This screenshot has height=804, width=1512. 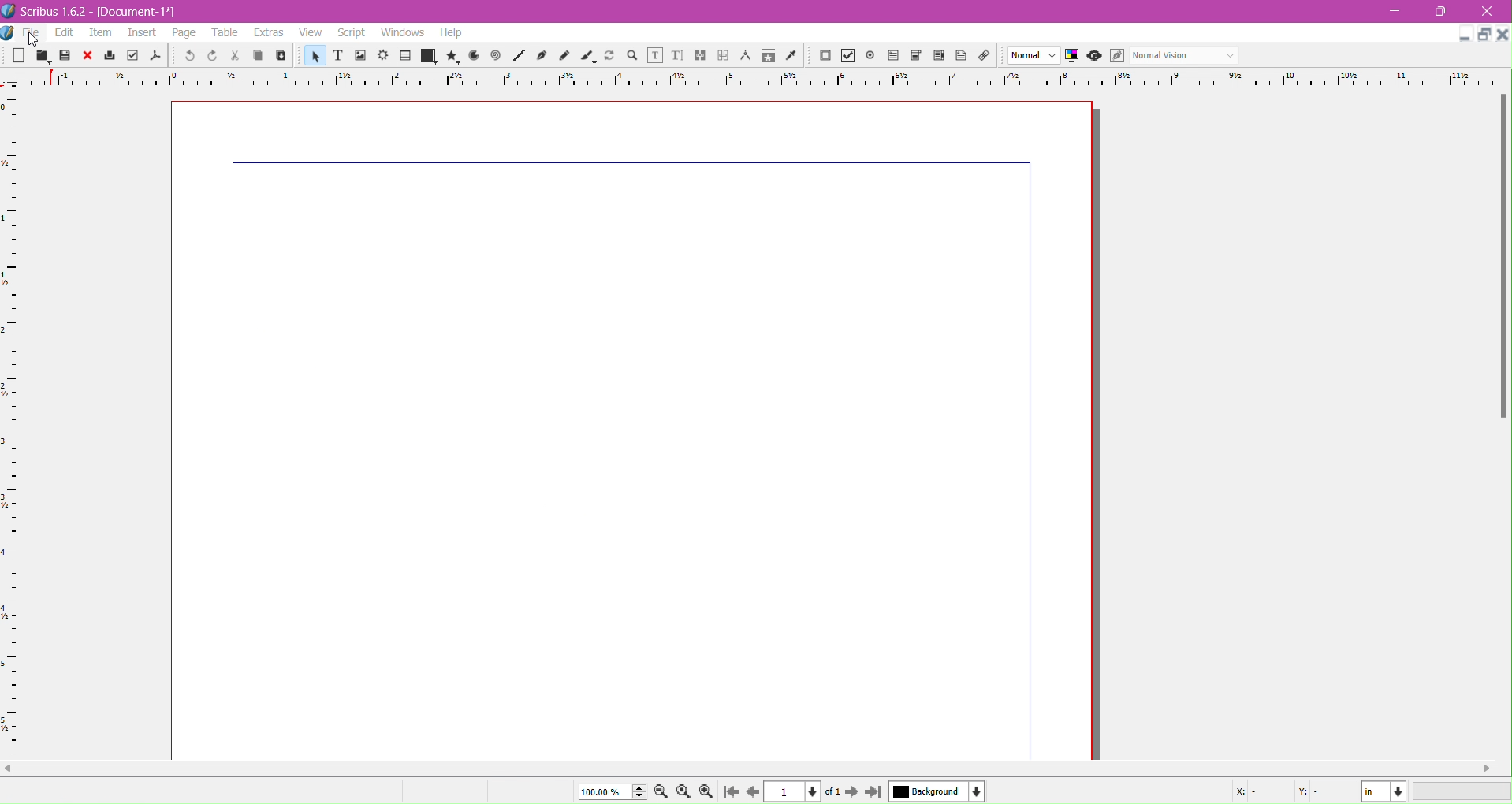 I want to click on measuring scale, so click(x=752, y=80).